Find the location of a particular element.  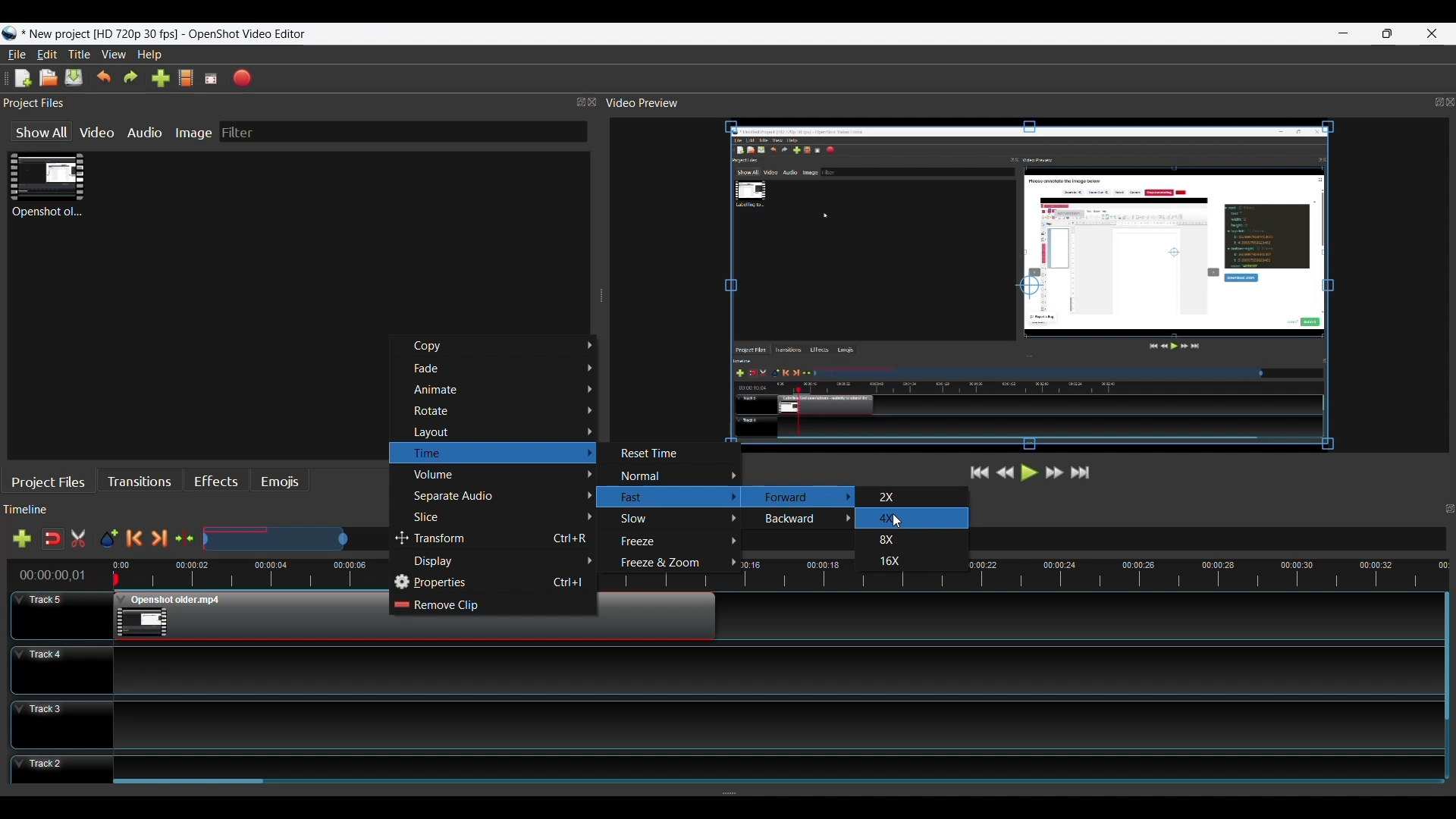

Razor is located at coordinates (80, 540).